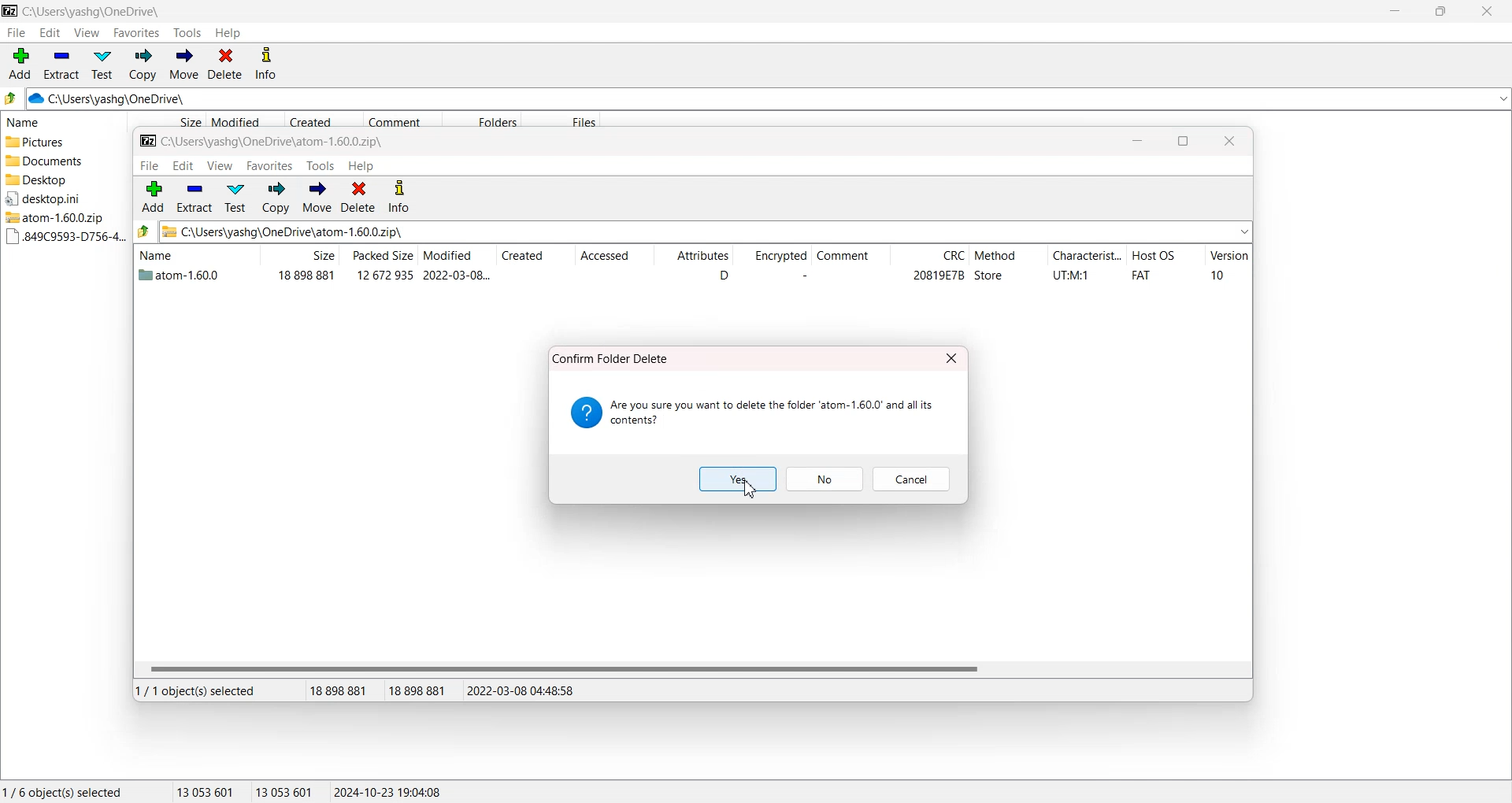 The width and height of the screenshot is (1512, 803). I want to click on Move, so click(183, 65).